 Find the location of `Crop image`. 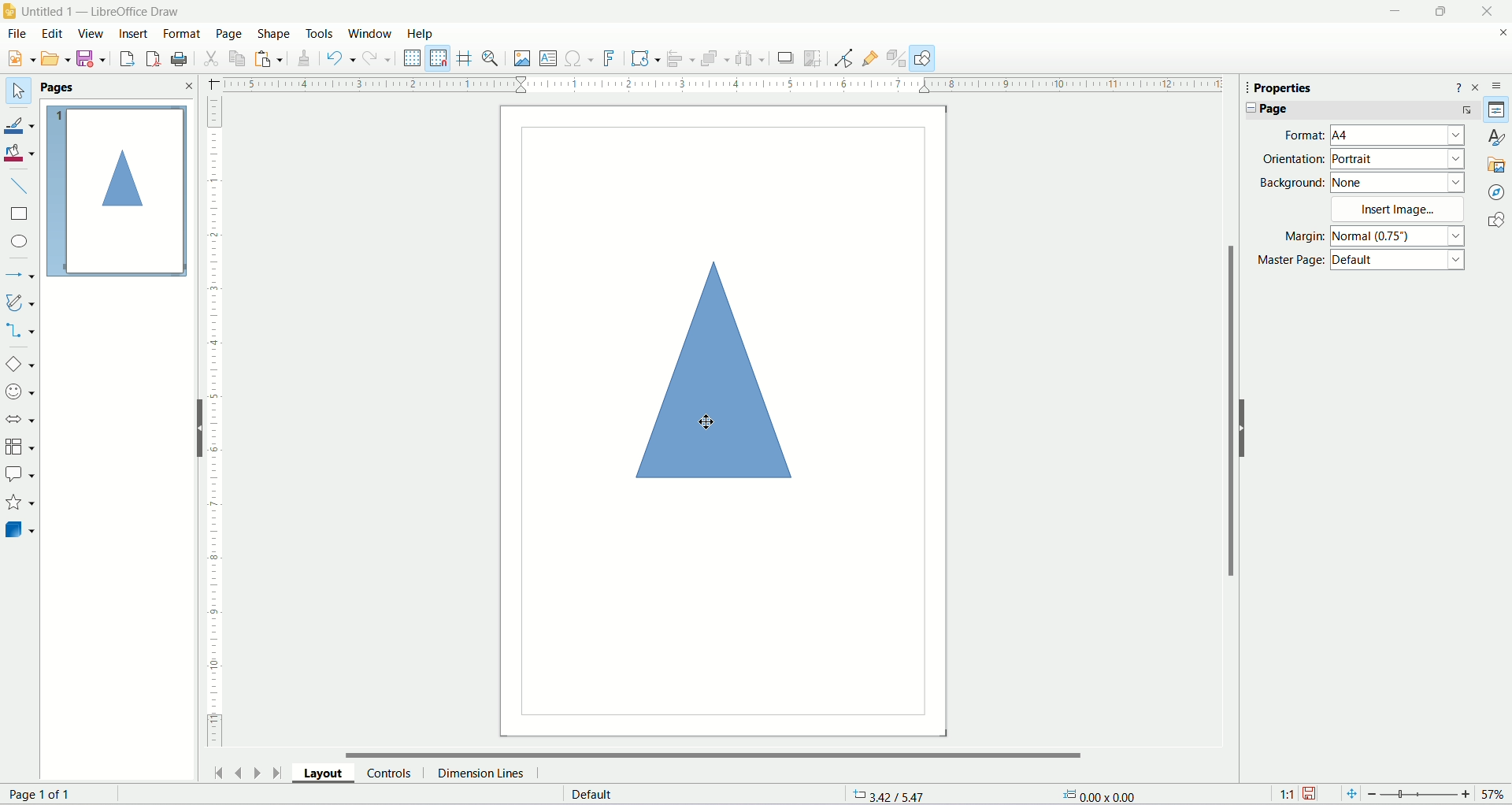

Crop image is located at coordinates (813, 58).